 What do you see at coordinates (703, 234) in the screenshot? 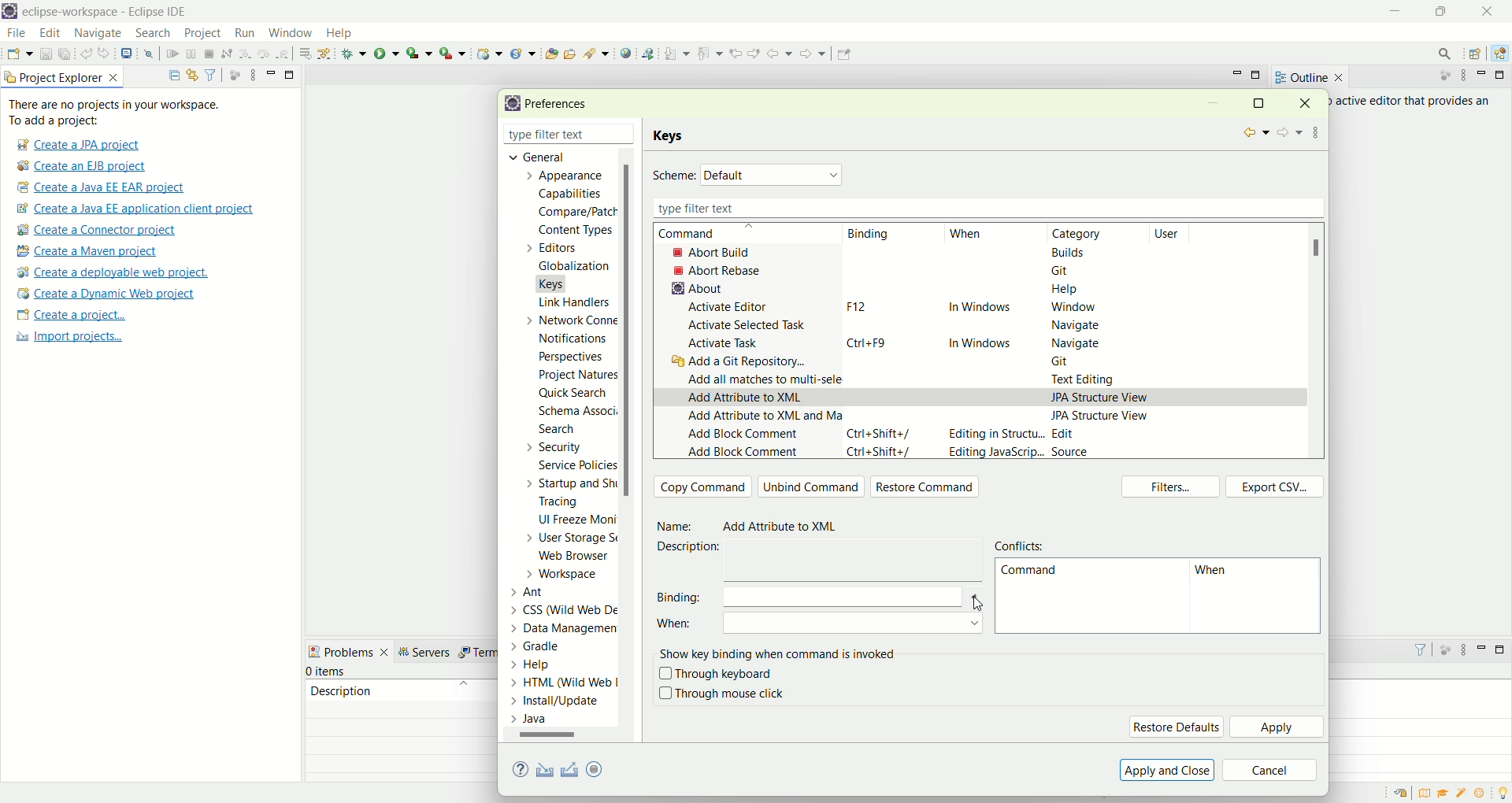
I see `command` at bounding box center [703, 234].